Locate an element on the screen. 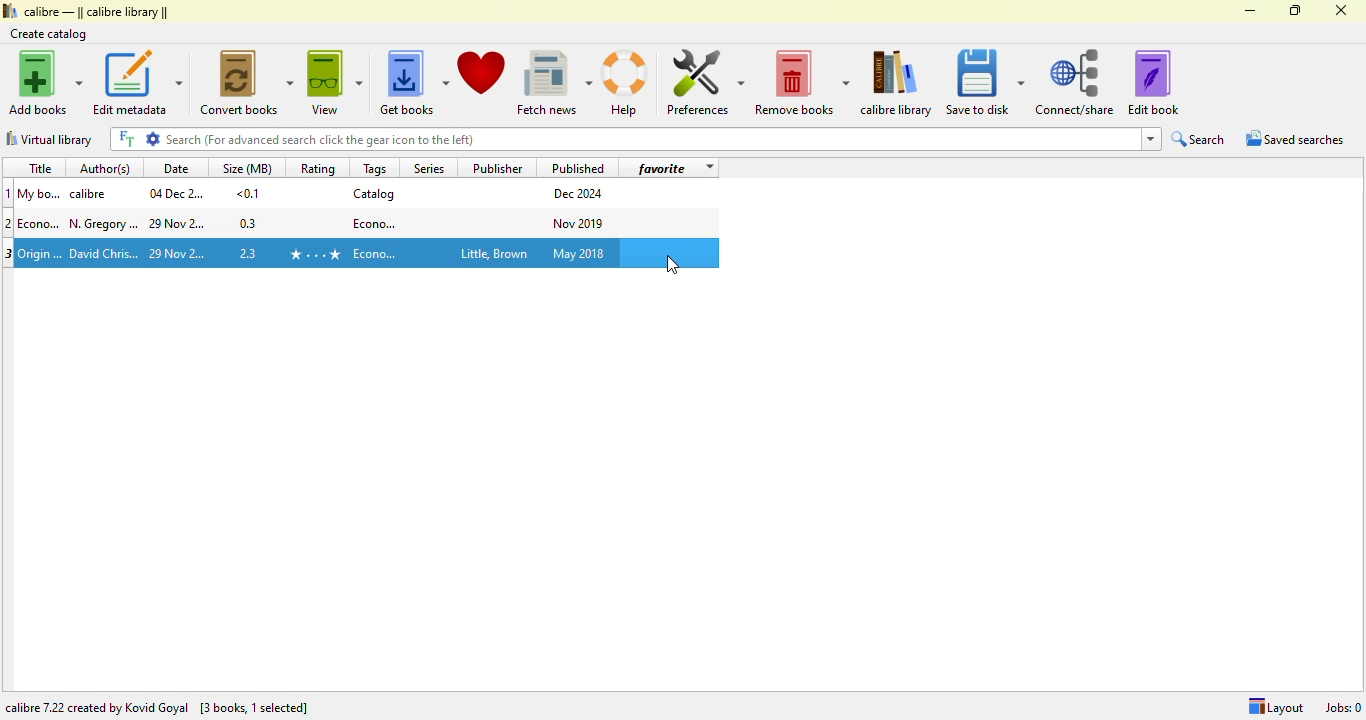  favorite is located at coordinates (662, 168).